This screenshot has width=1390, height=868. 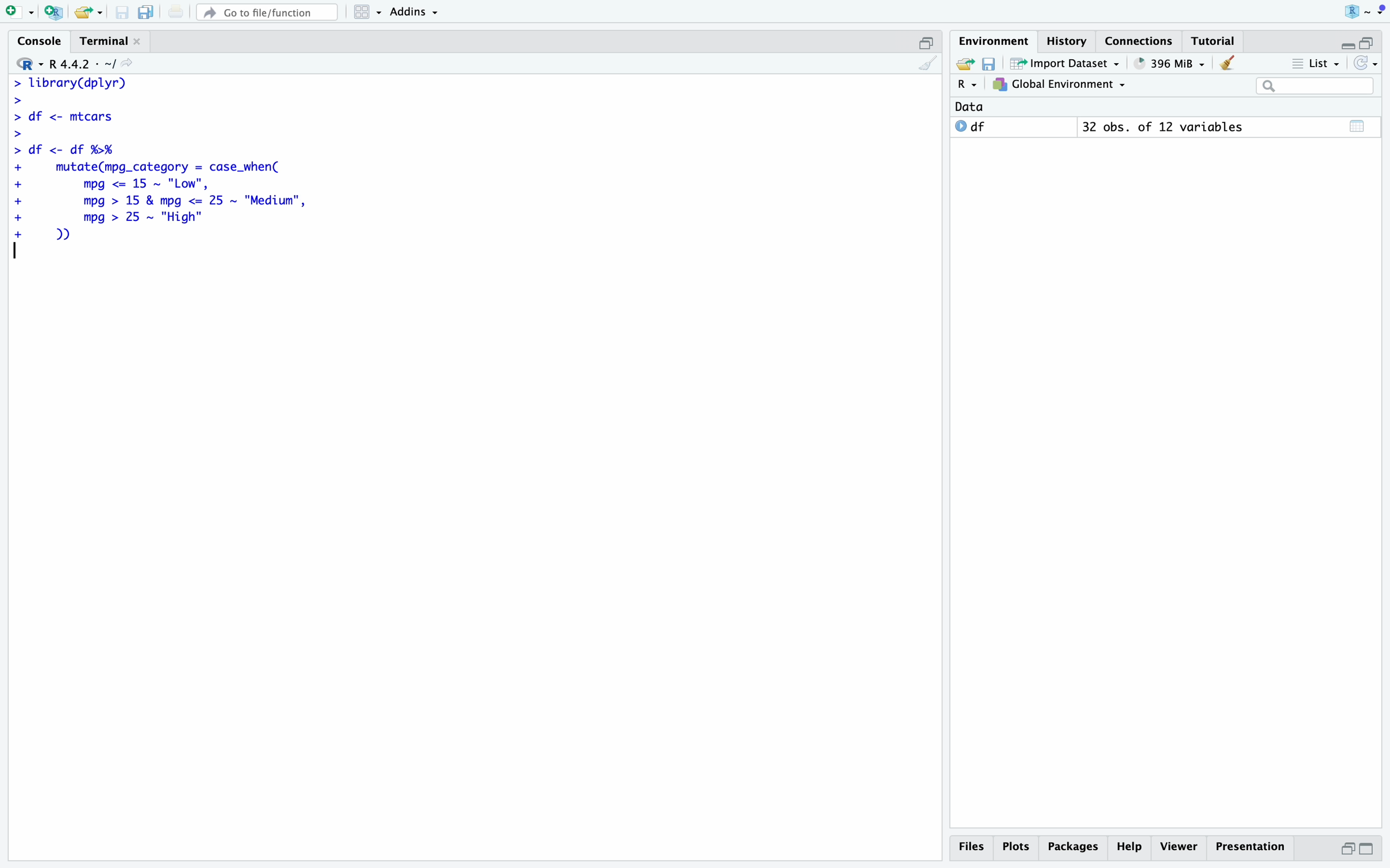 I want to click on > library(dplyr)

>

> df <- mtcars

>

> df <- df %%

+ mutate(mpg_category = case_when(

+ mpg <= 15 ~ "Low",

+ mpg > 15 & mpg <= 25 ~ "Medium",
+ mpg > 25 ~ "High"

+ », so click(x=161, y=158).